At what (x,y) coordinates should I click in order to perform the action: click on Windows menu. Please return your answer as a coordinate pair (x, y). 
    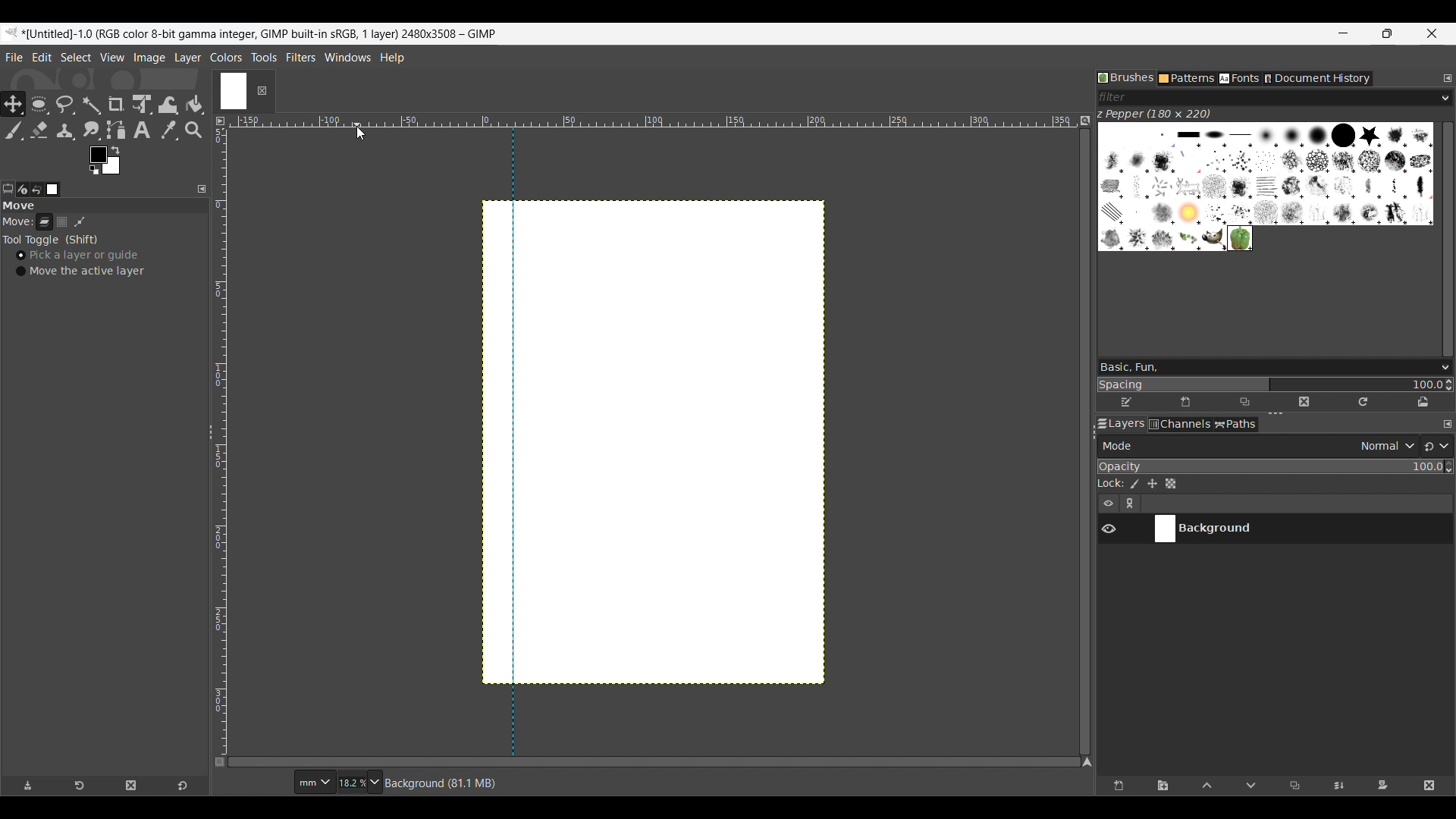
    Looking at the image, I should click on (347, 55).